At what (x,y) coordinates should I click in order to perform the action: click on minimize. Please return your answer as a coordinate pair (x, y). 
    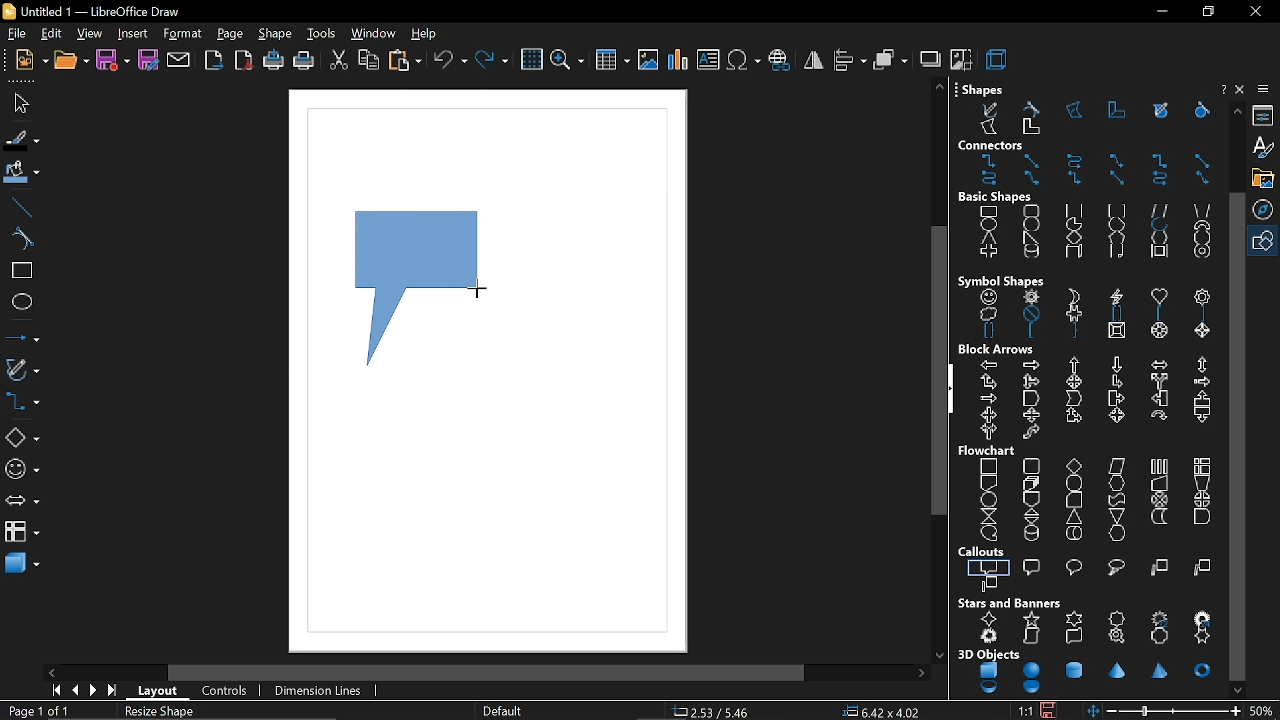
    Looking at the image, I should click on (1160, 12).